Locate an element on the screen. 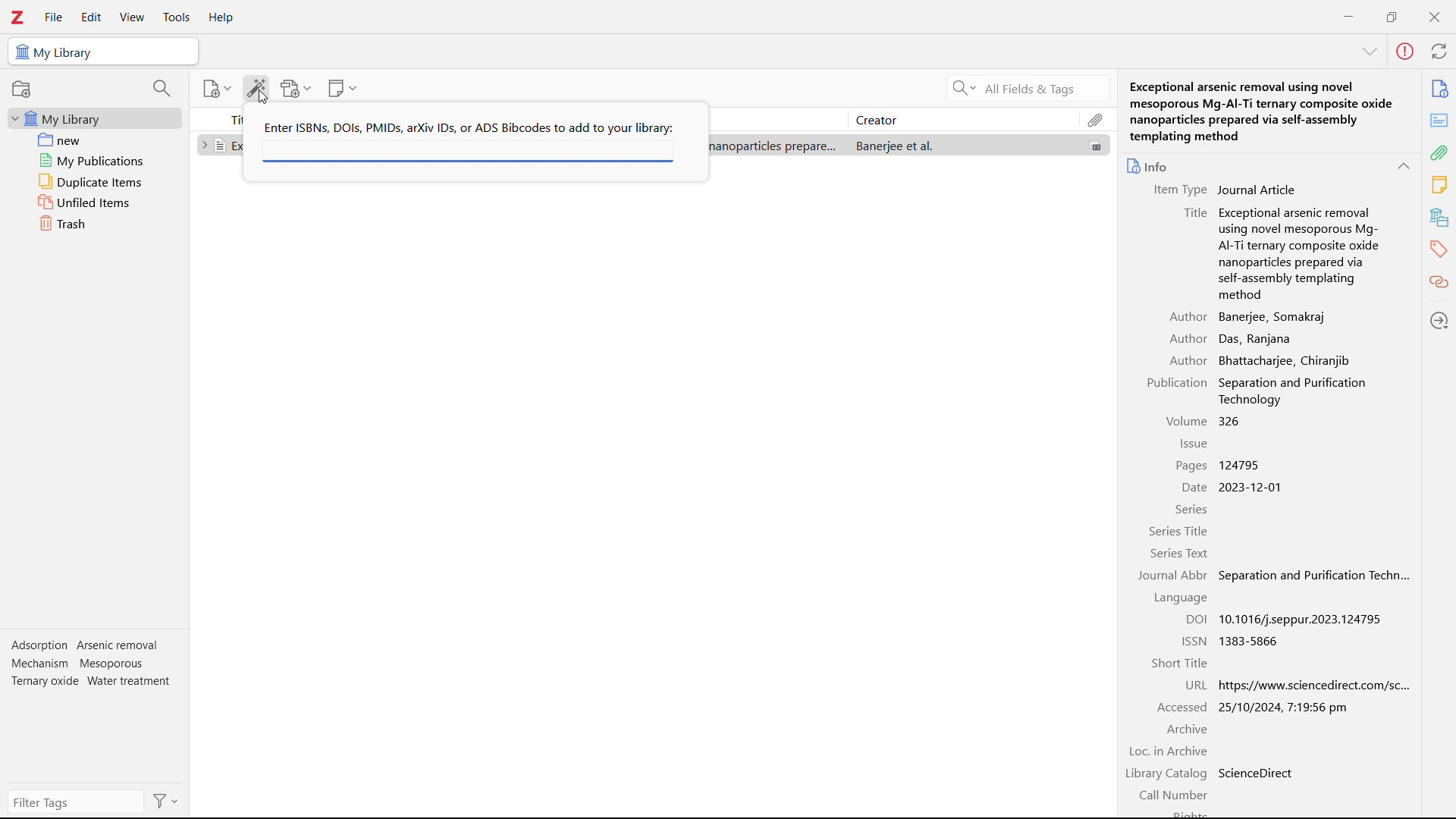 This screenshot has height=819, width=1456. 326 is located at coordinates (1230, 421).